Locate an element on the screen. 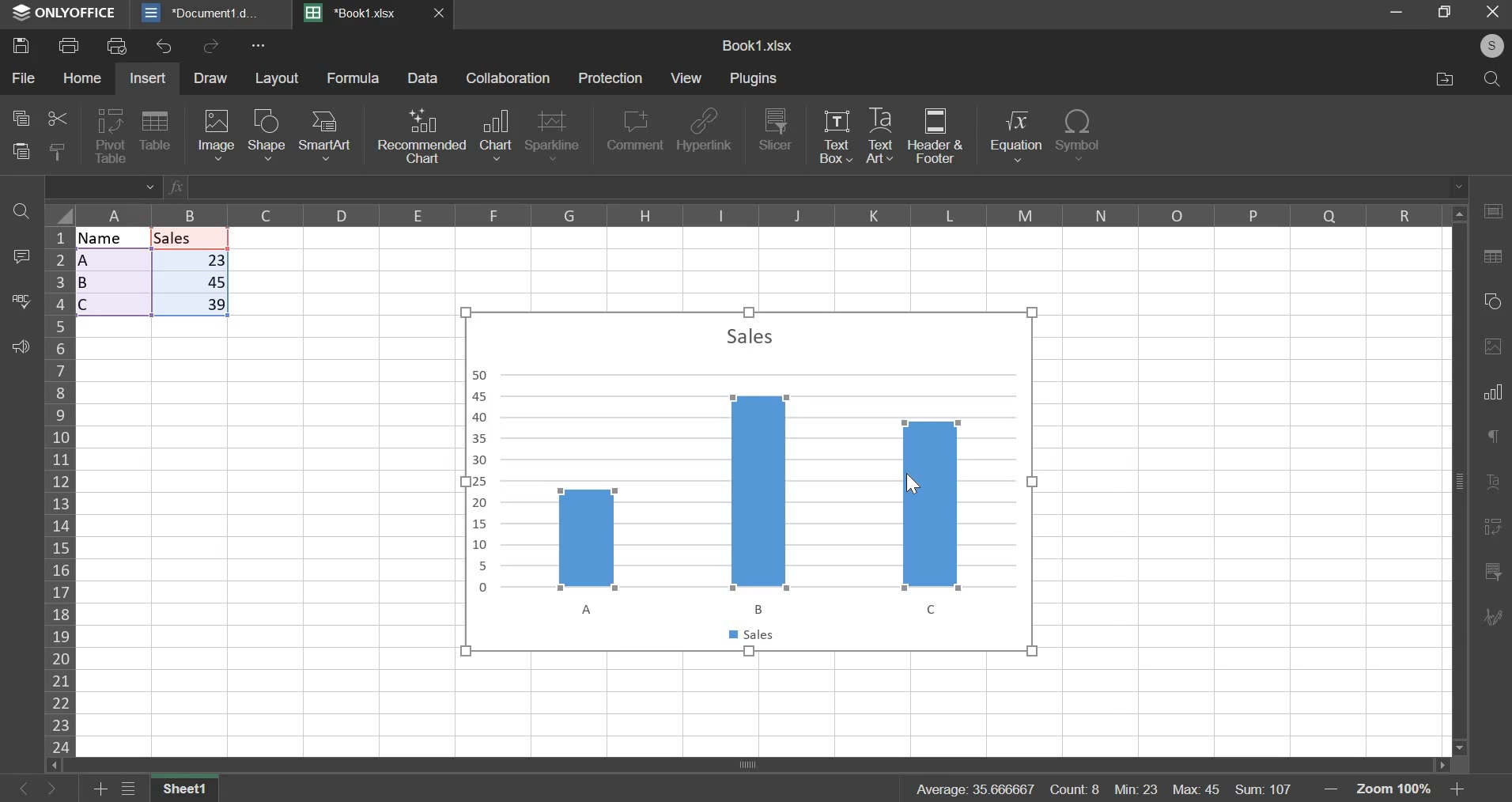  more is located at coordinates (270, 50).